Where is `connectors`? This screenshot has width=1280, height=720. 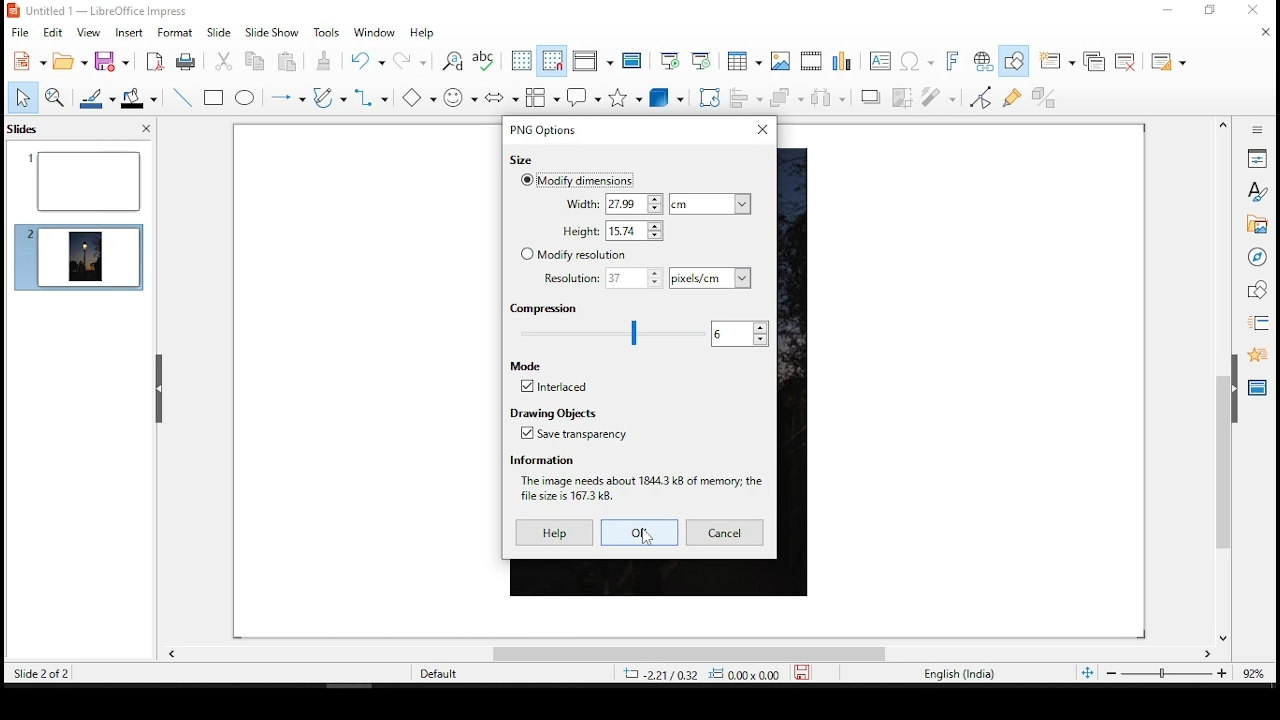 connectors is located at coordinates (369, 99).